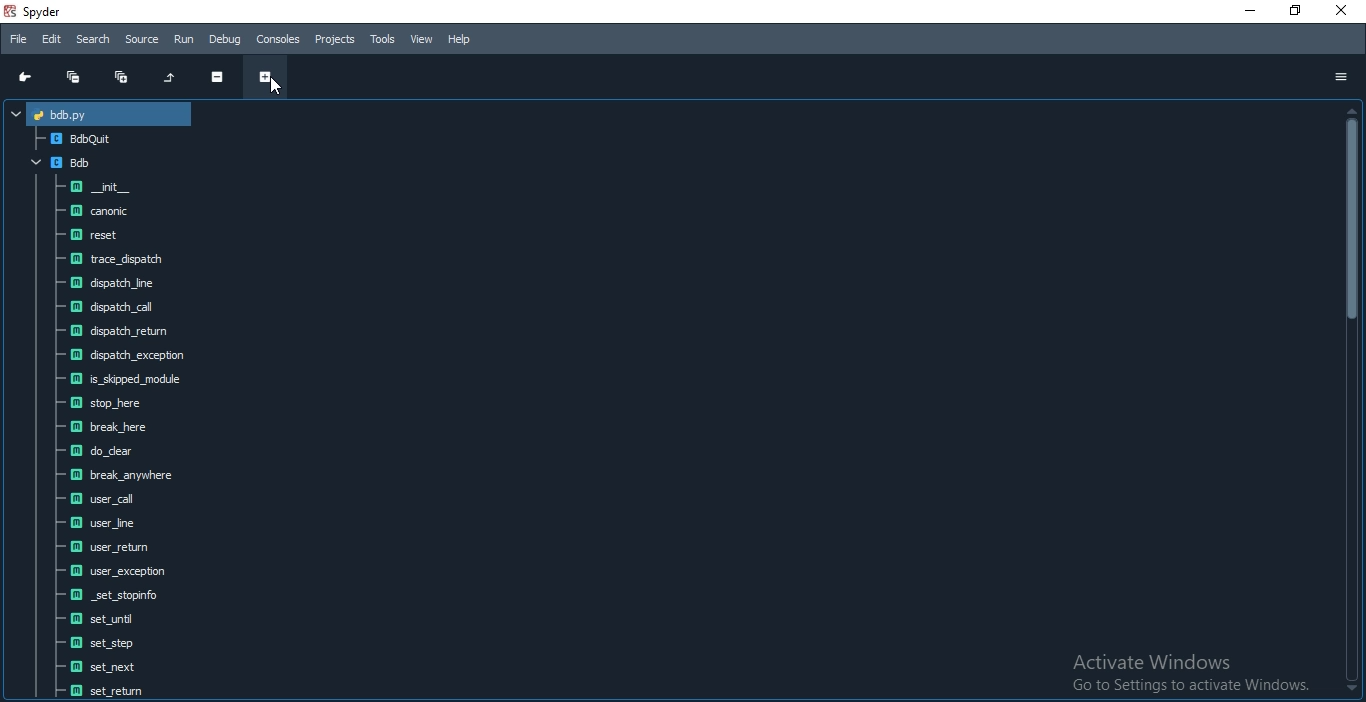 The image size is (1366, 702). I want to click on Debug, so click(224, 39).